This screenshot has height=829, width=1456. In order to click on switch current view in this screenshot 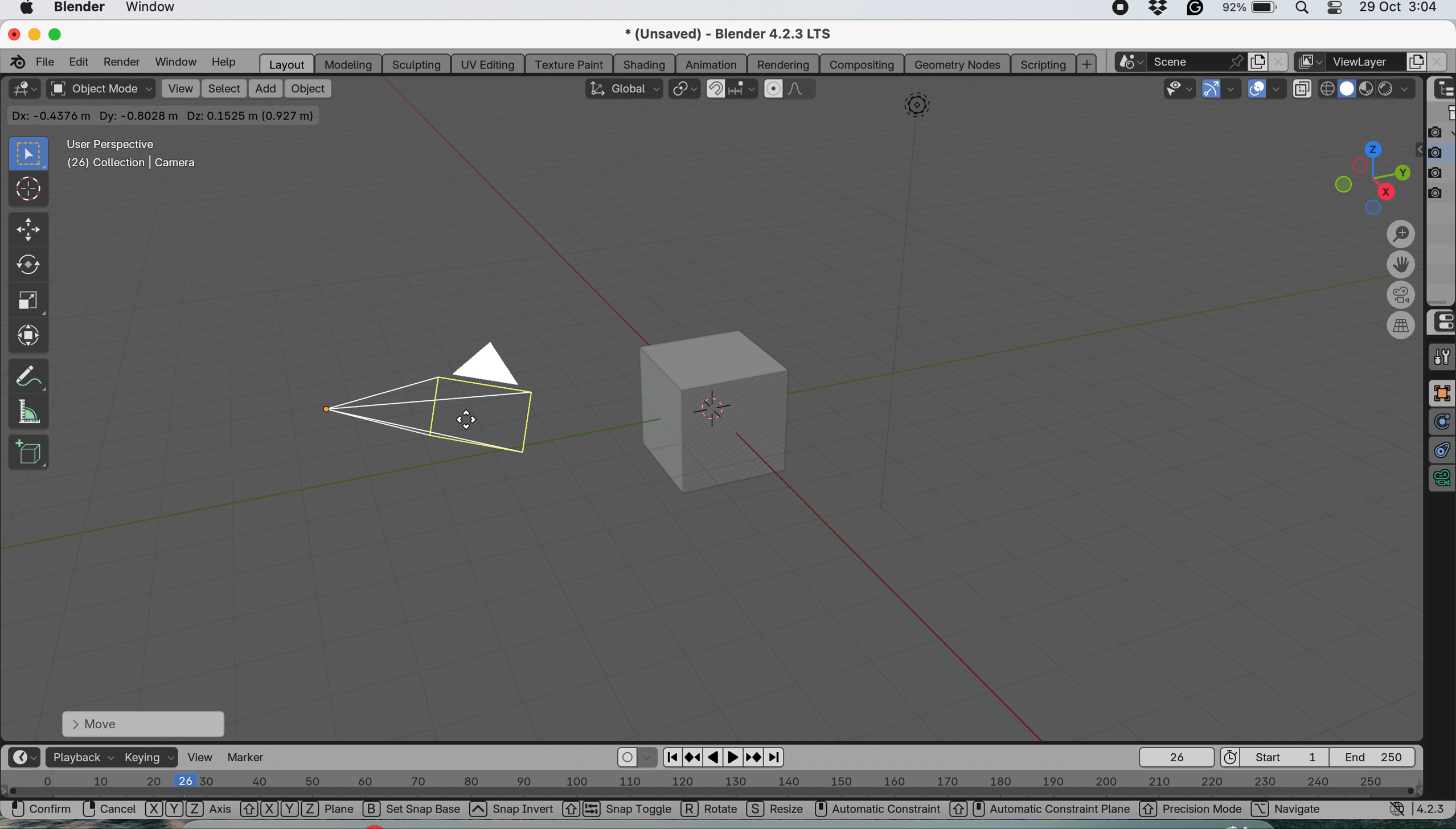, I will do `click(1403, 326)`.